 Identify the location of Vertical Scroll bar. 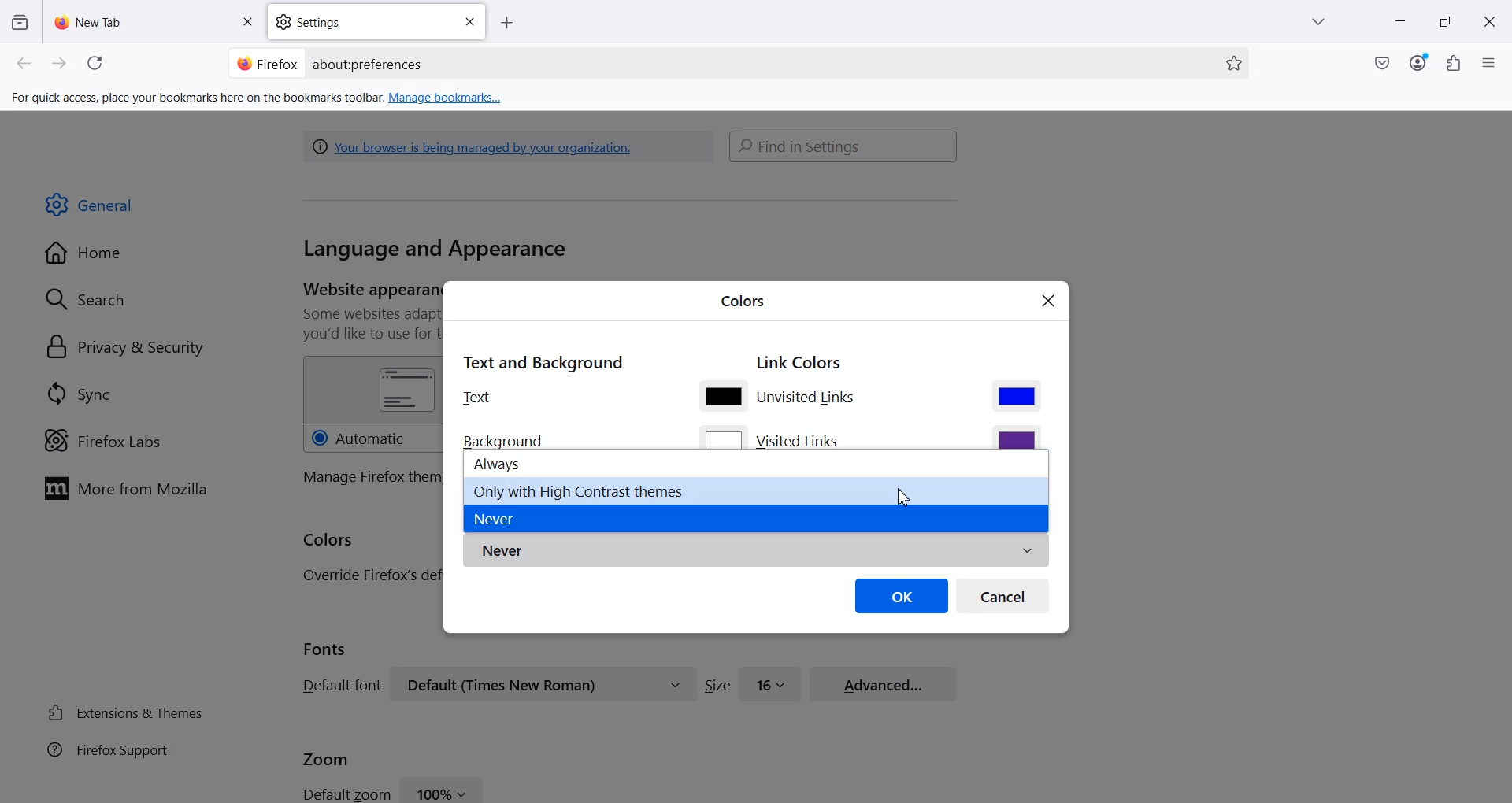
(1503, 280).